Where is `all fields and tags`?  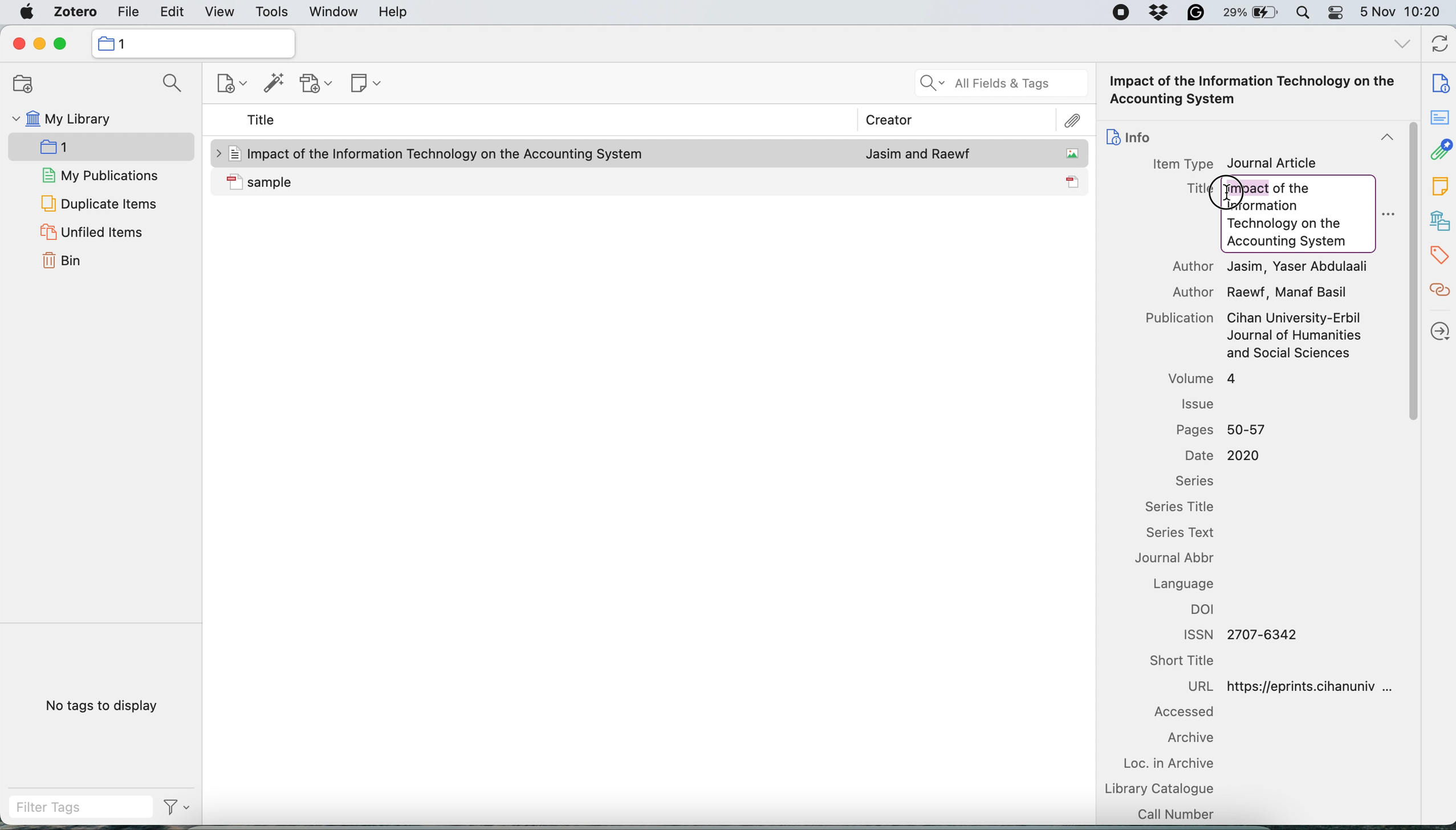
all fields and tags is located at coordinates (998, 83).